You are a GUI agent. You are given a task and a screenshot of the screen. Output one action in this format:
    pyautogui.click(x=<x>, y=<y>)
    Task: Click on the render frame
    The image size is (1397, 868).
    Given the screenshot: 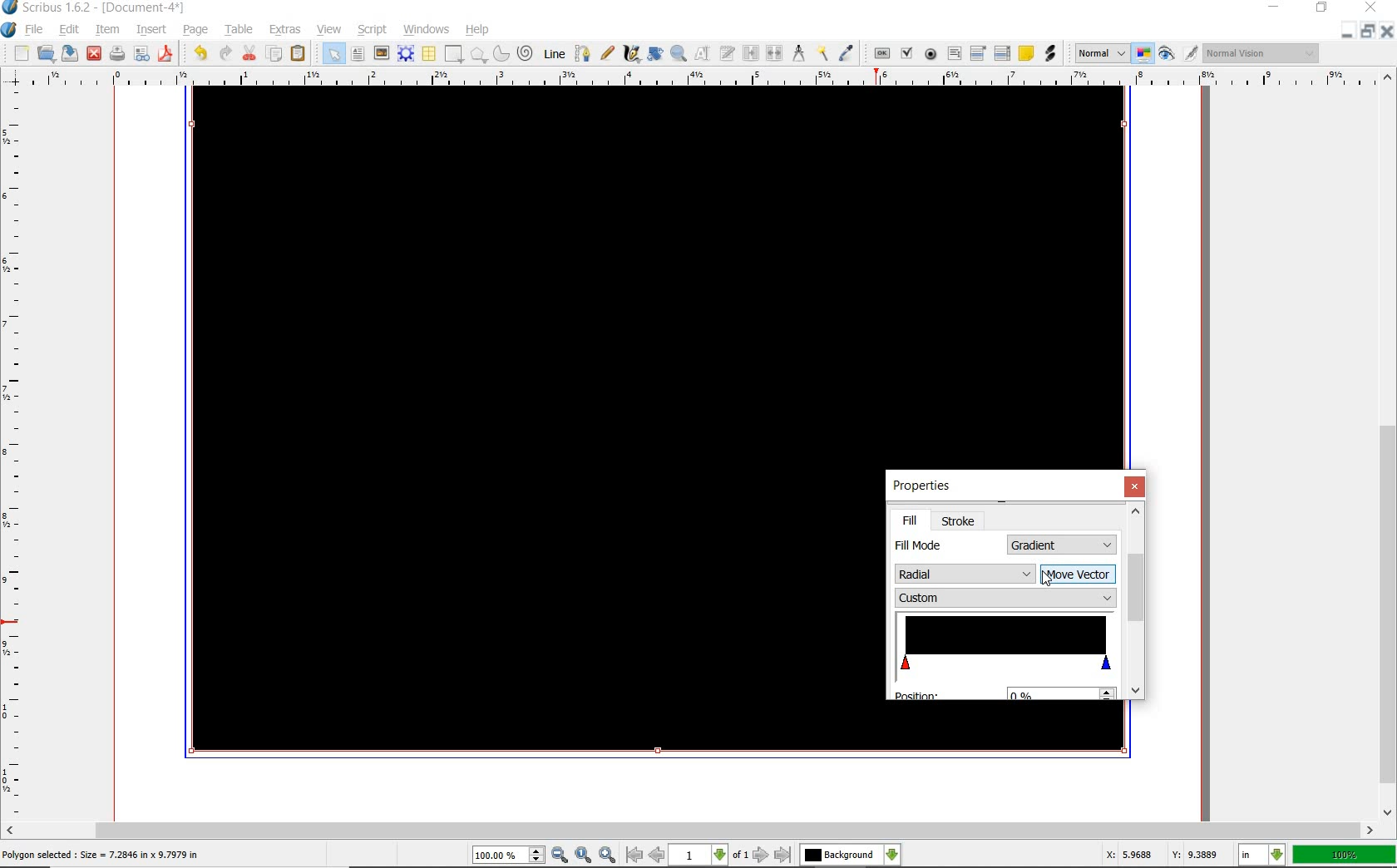 What is the action you would take?
    pyautogui.click(x=407, y=55)
    